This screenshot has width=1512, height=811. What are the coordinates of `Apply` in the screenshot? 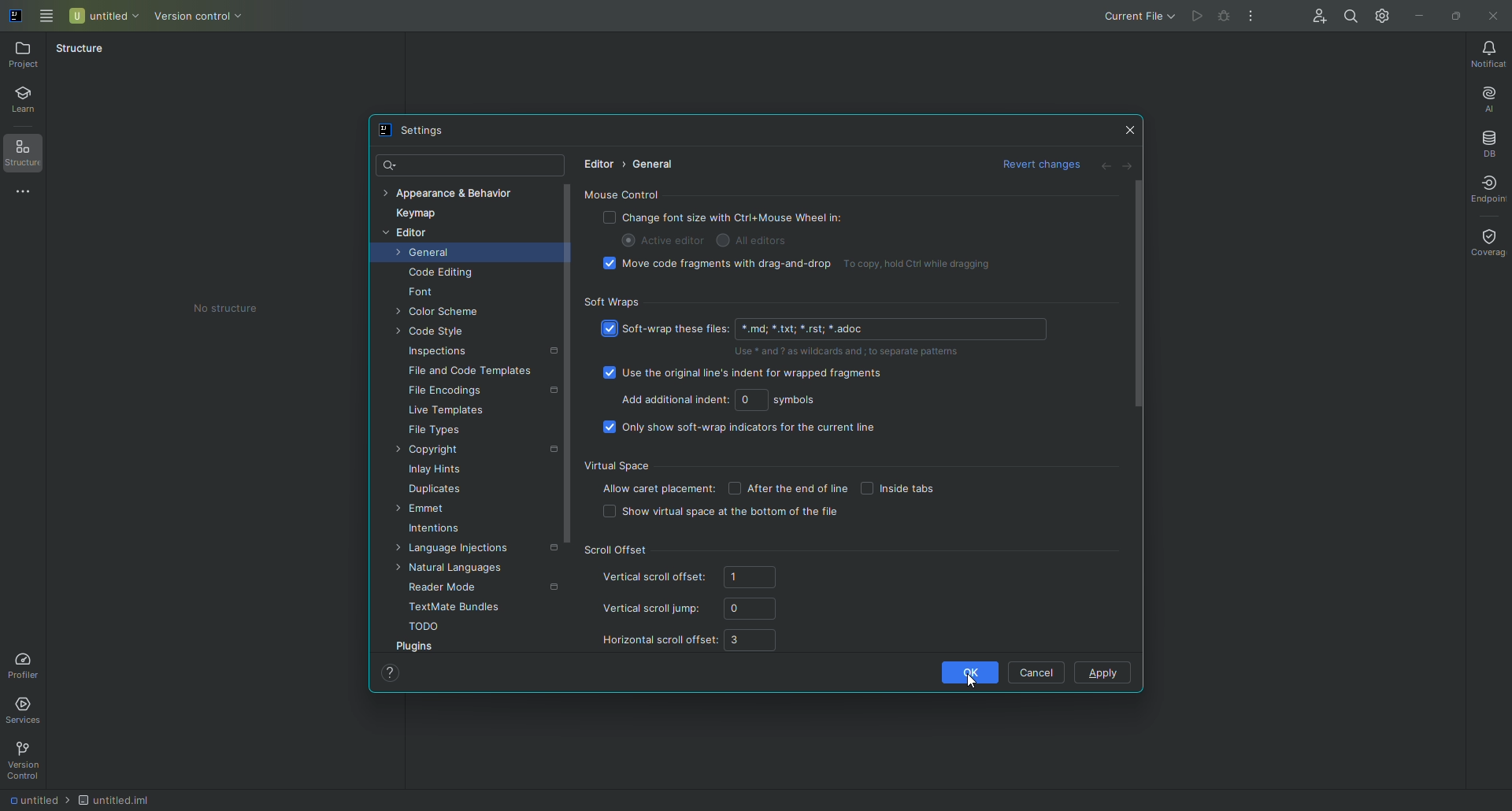 It's located at (1106, 672).